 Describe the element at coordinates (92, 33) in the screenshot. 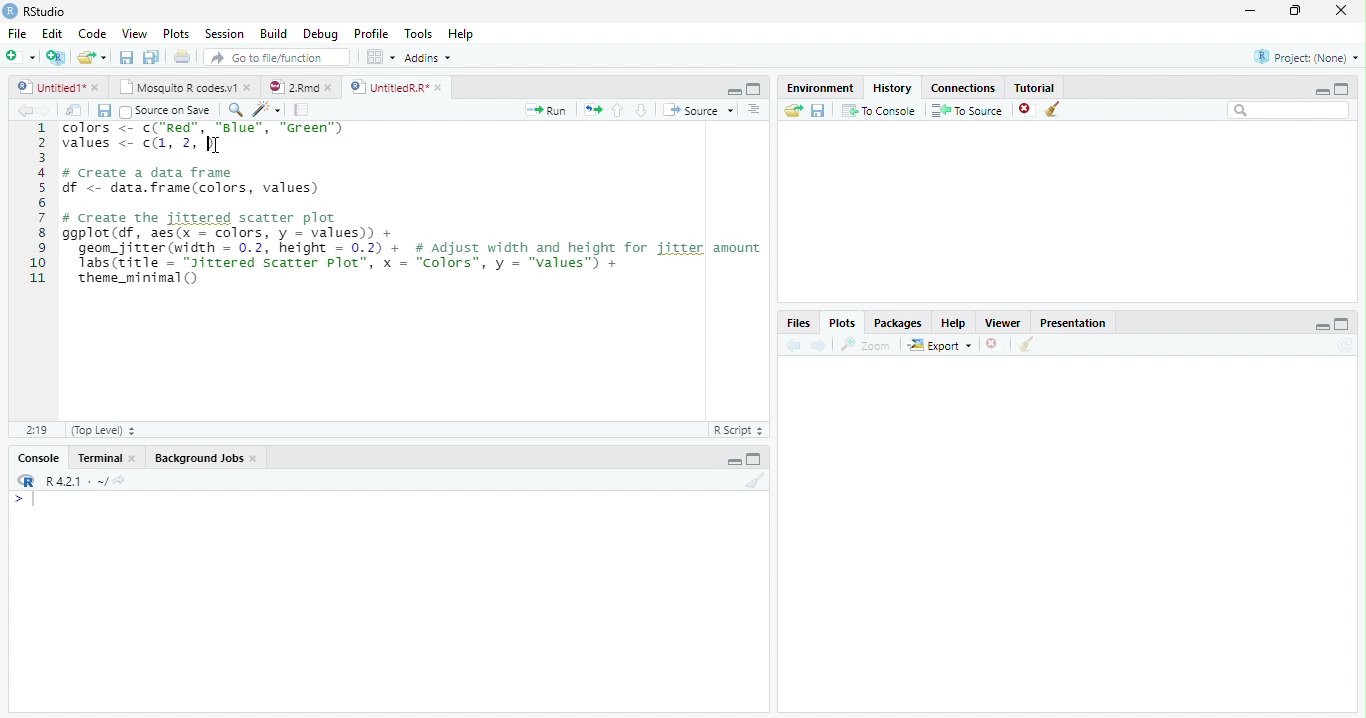

I see `Code` at that location.